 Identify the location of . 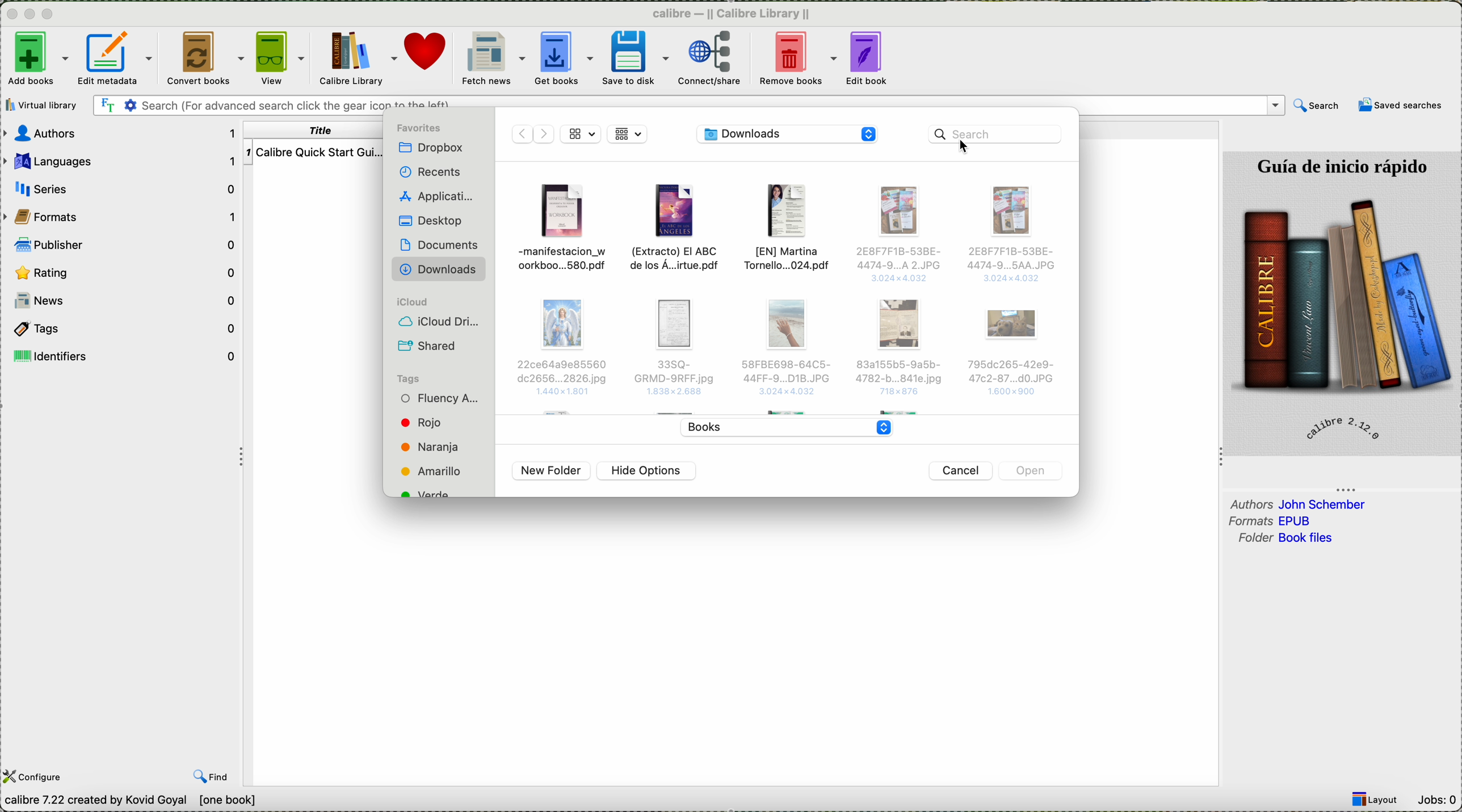
(1008, 351).